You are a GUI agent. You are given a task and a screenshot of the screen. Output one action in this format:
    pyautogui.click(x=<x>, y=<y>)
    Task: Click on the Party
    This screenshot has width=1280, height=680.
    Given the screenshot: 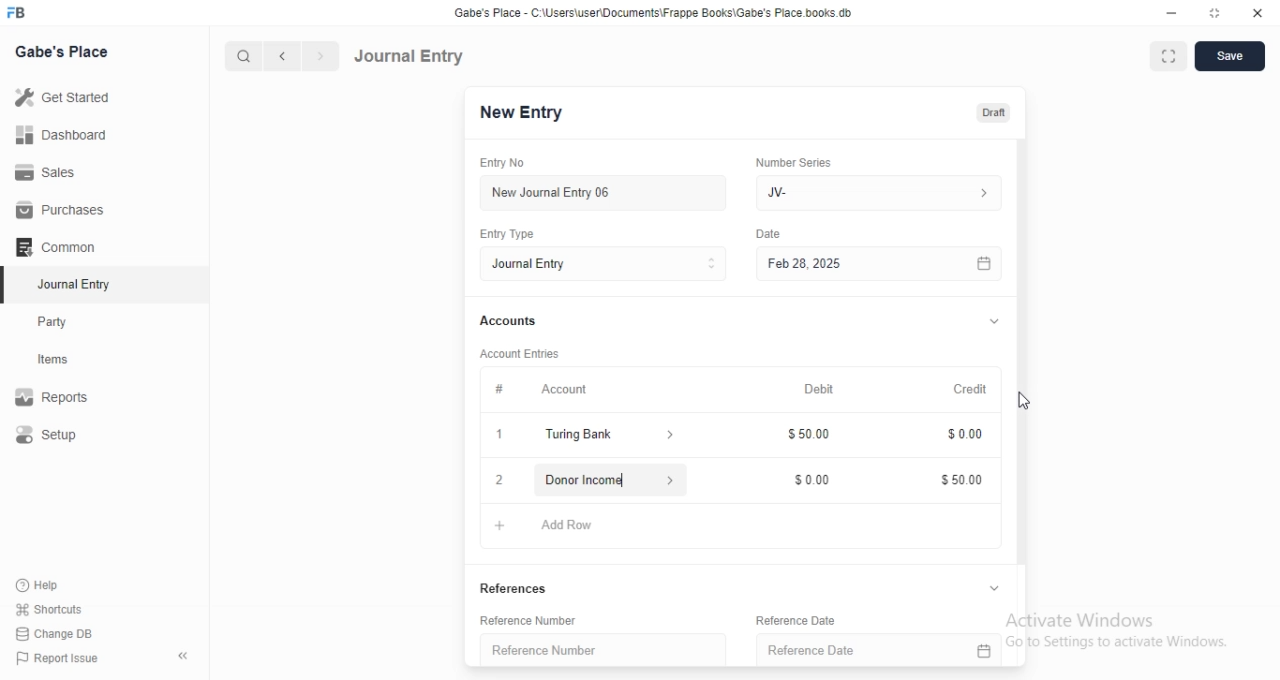 What is the action you would take?
    pyautogui.click(x=66, y=322)
    